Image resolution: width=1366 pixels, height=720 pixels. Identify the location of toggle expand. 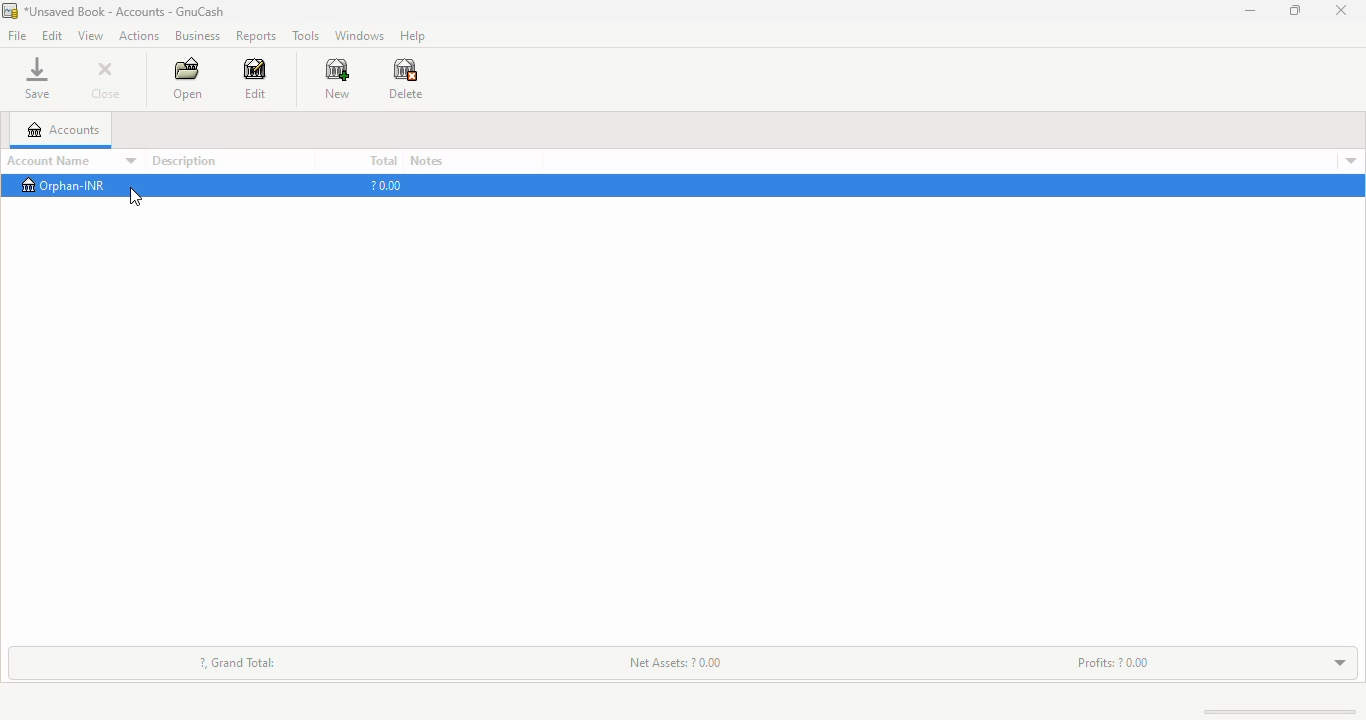
(1340, 663).